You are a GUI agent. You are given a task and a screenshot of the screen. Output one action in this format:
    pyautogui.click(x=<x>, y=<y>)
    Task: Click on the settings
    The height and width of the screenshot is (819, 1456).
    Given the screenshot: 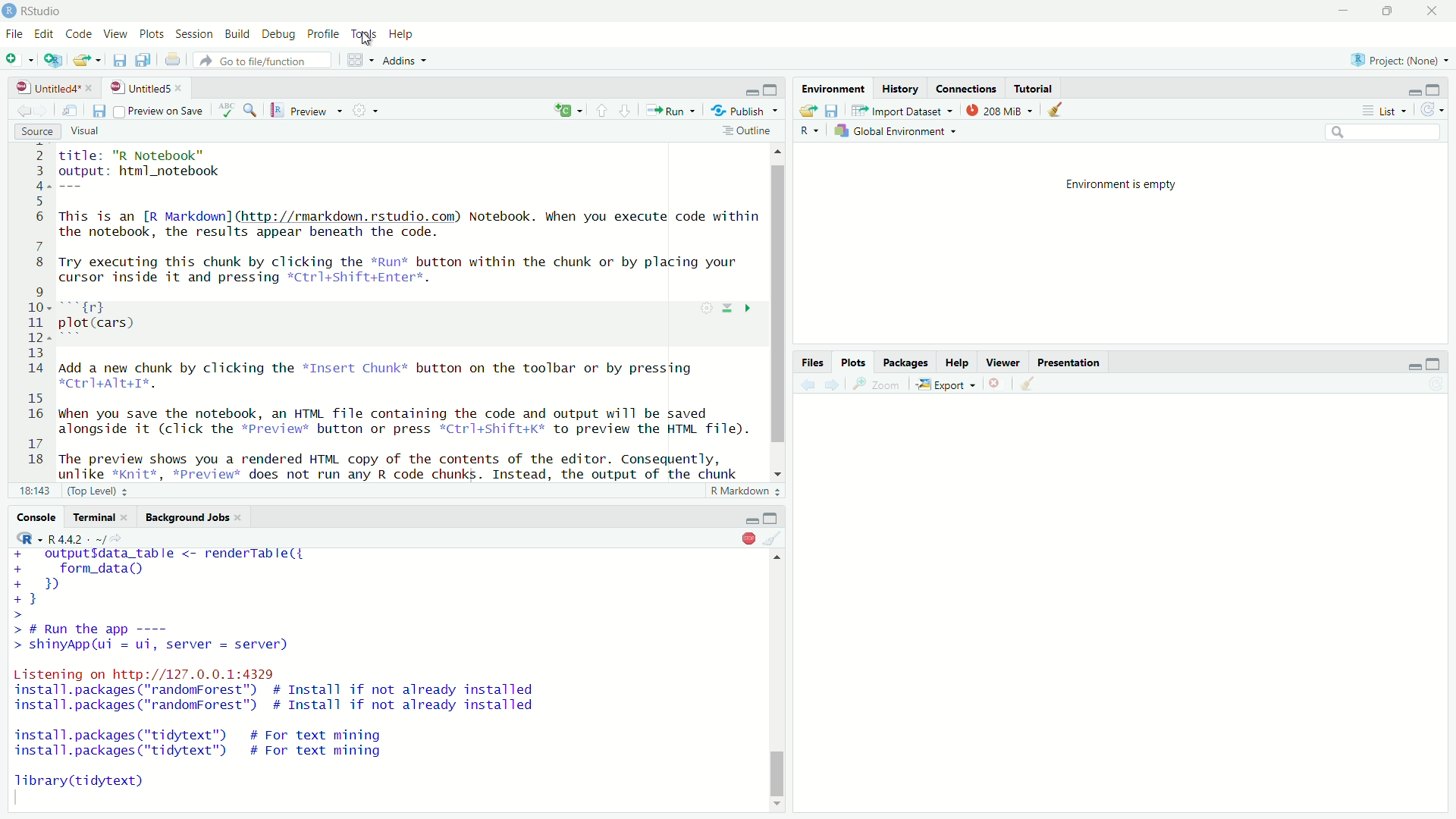 What is the action you would take?
    pyautogui.click(x=369, y=110)
    